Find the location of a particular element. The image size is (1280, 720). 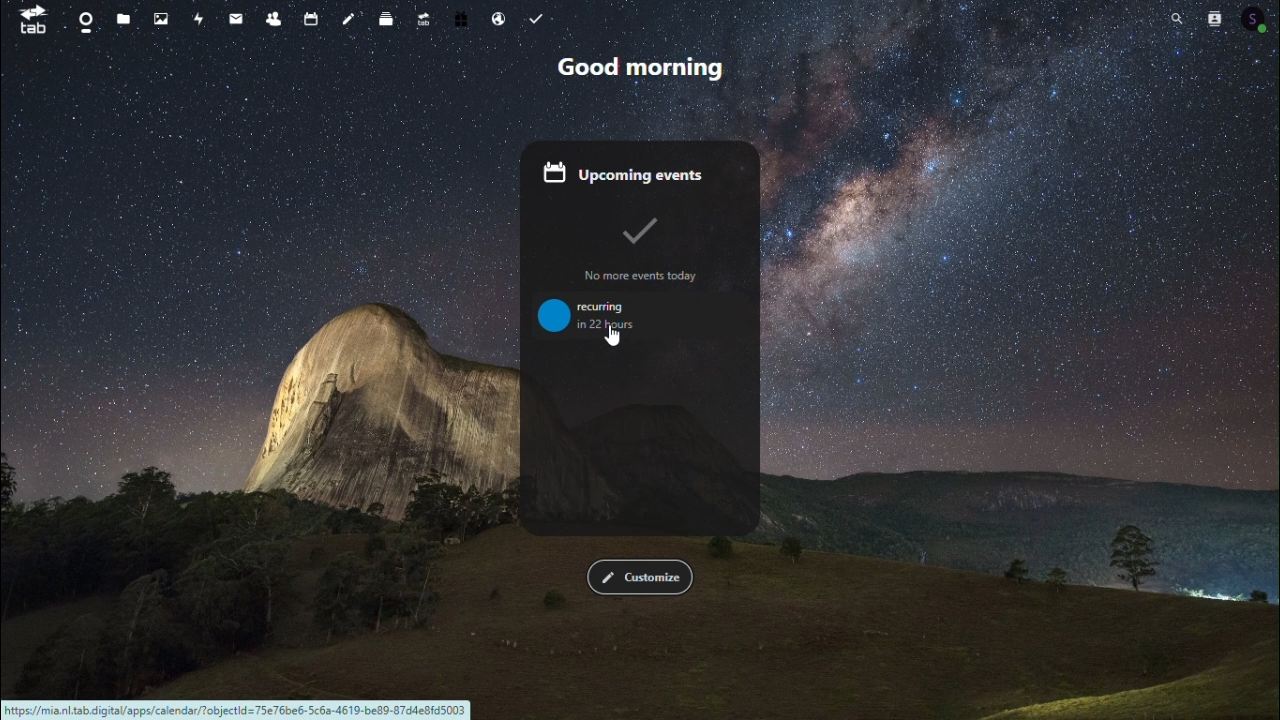

Task  is located at coordinates (538, 19).